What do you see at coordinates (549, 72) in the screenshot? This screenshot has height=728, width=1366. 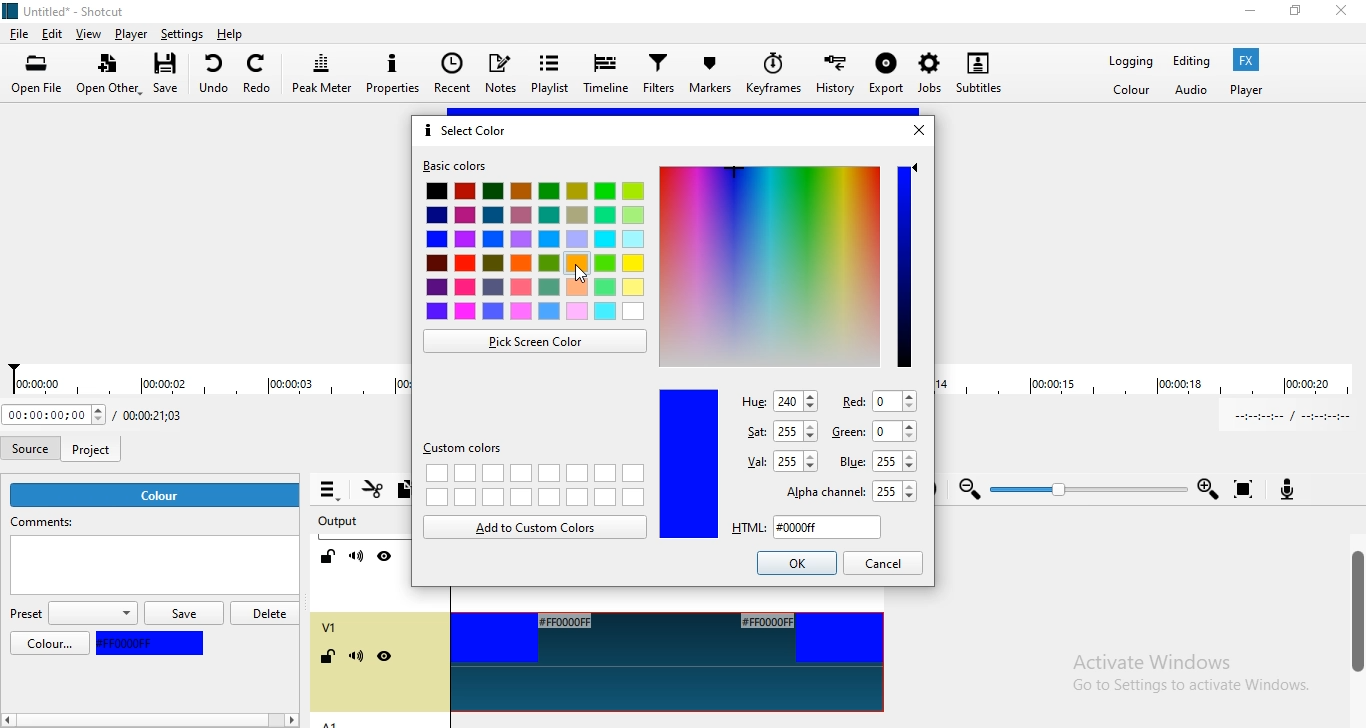 I see `Playlist` at bounding box center [549, 72].